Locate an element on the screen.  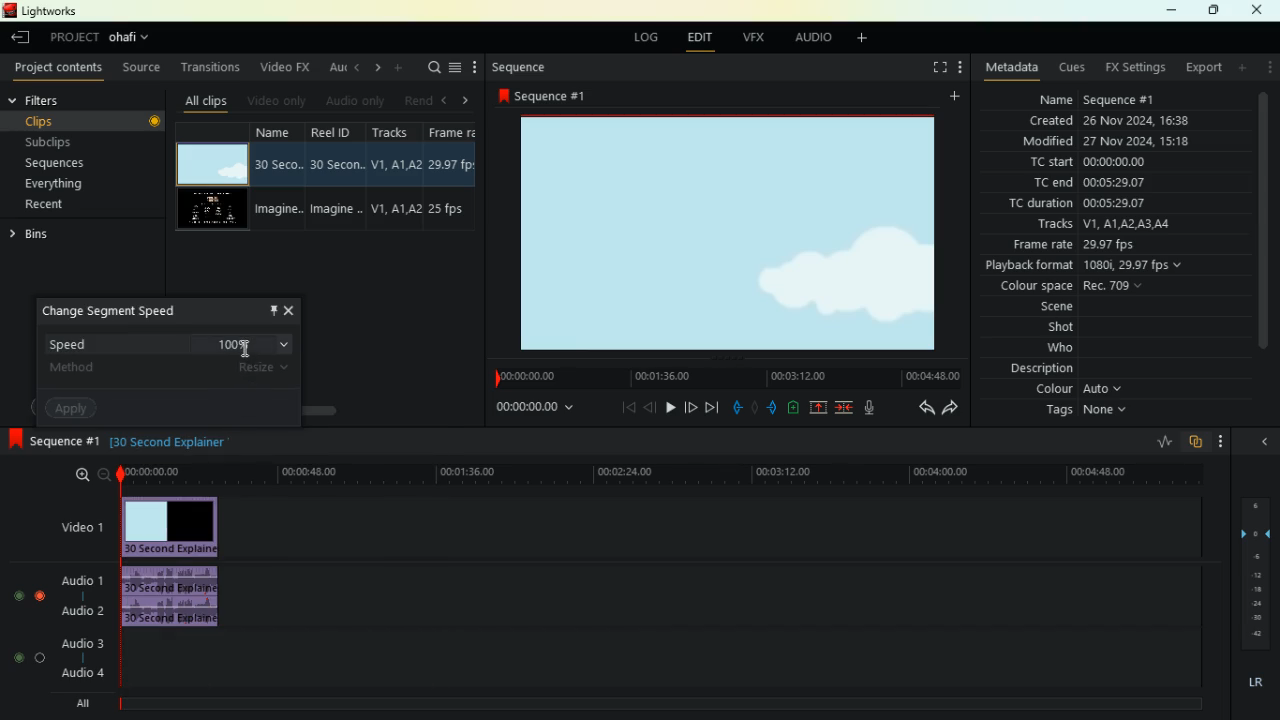
fullscreen is located at coordinates (930, 67).